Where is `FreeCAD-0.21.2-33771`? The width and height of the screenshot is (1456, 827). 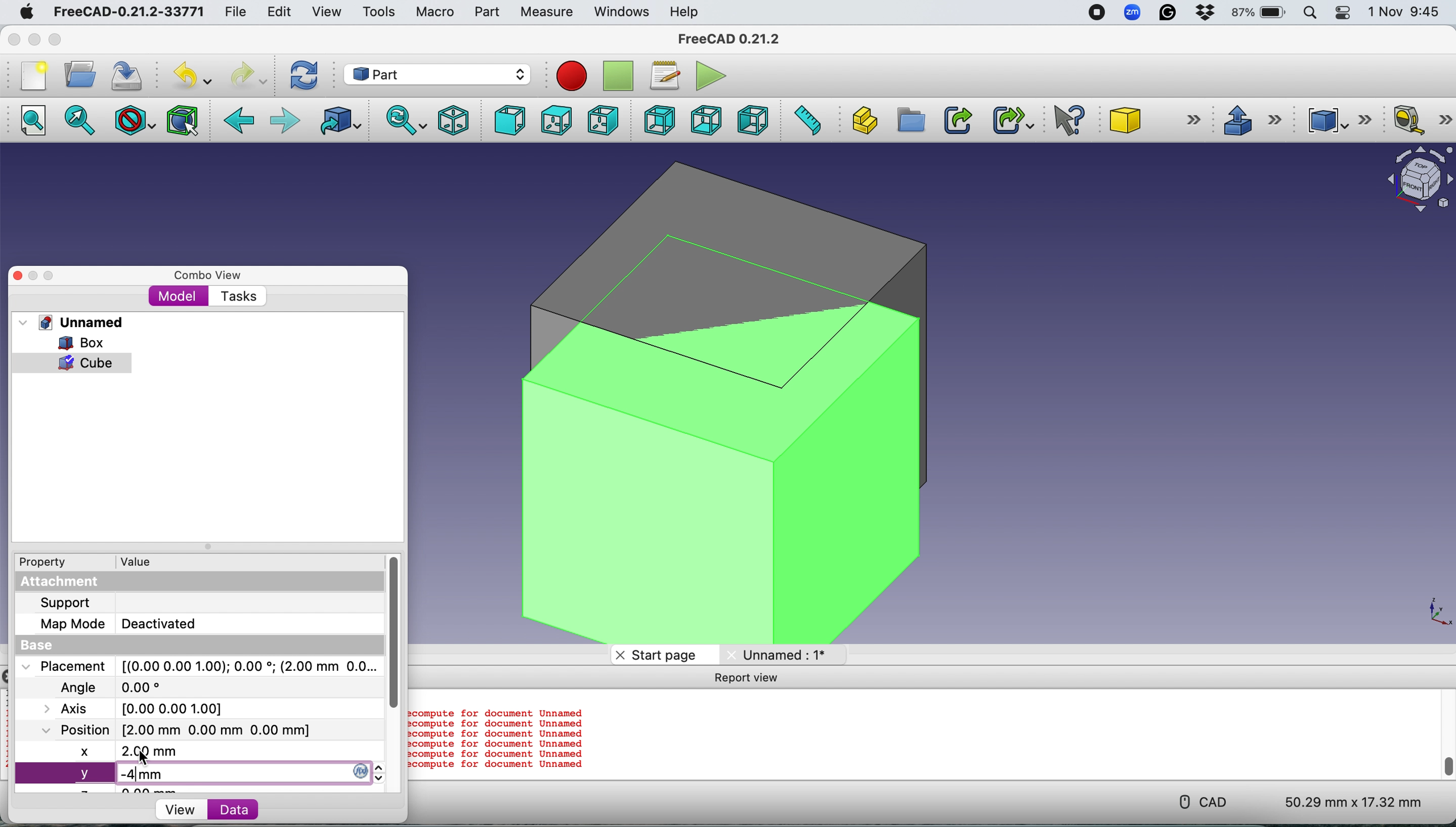 FreeCAD-0.21.2-33771 is located at coordinates (128, 12).